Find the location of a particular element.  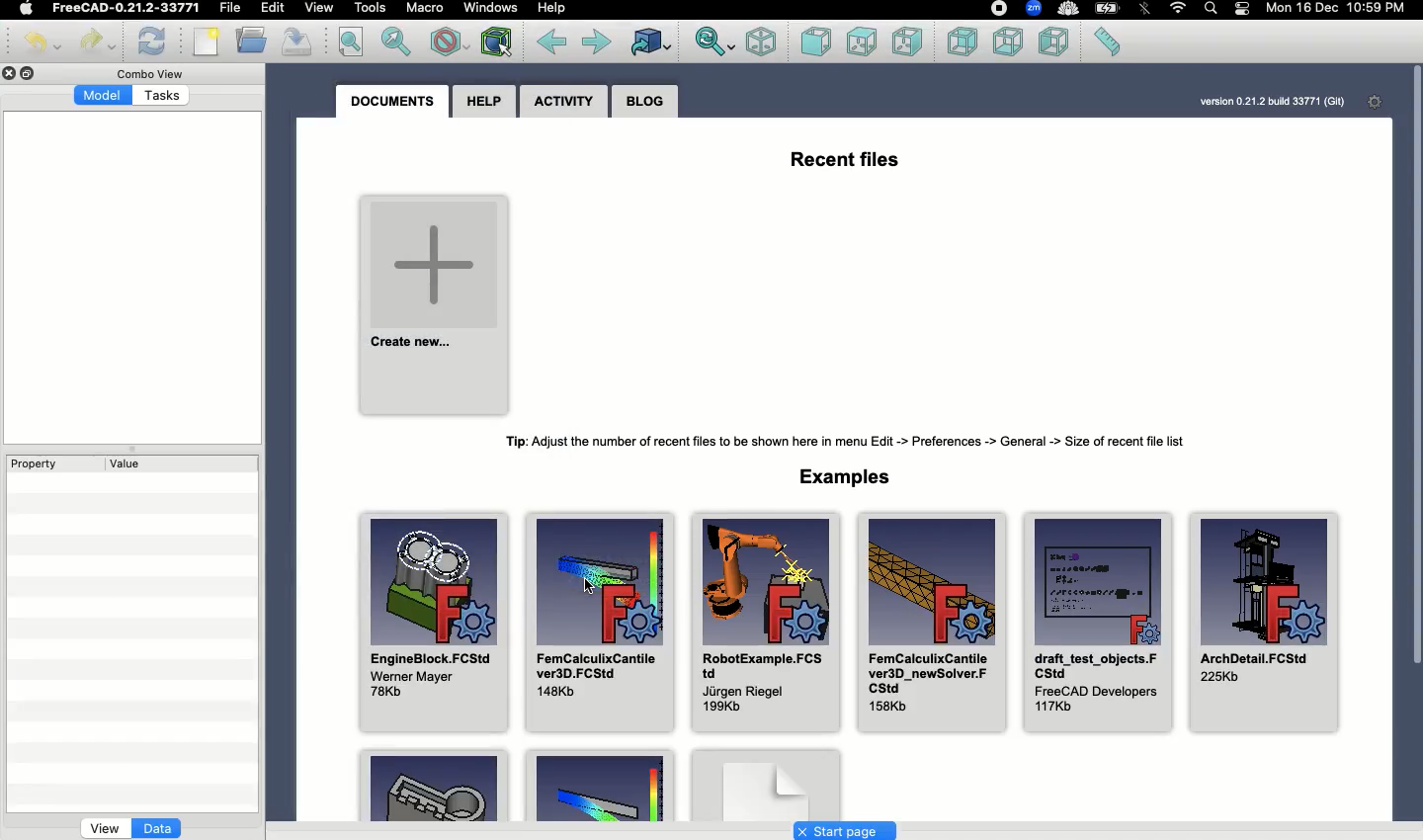

Tasks is located at coordinates (164, 98).